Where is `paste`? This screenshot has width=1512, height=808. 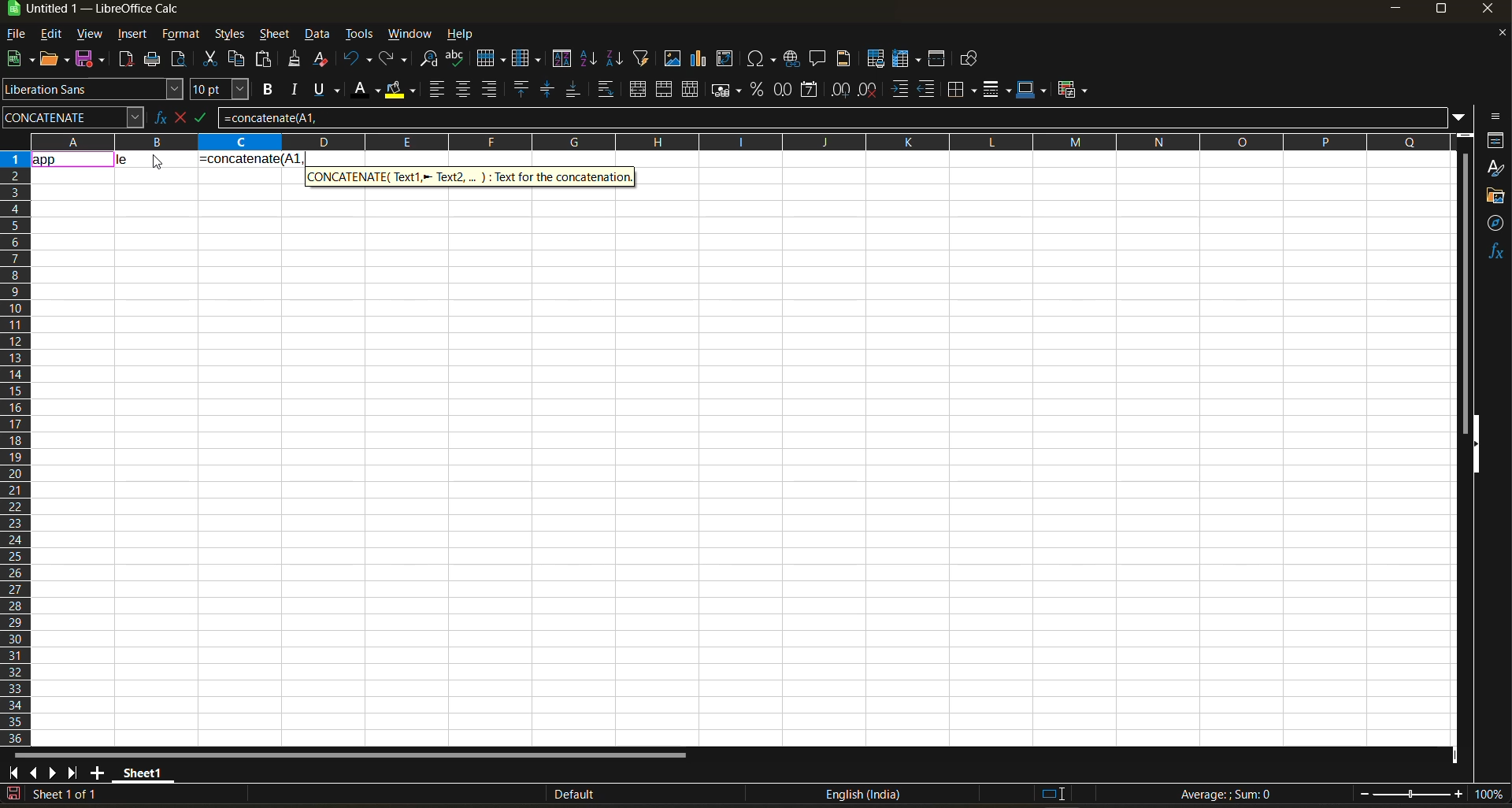
paste is located at coordinates (265, 61).